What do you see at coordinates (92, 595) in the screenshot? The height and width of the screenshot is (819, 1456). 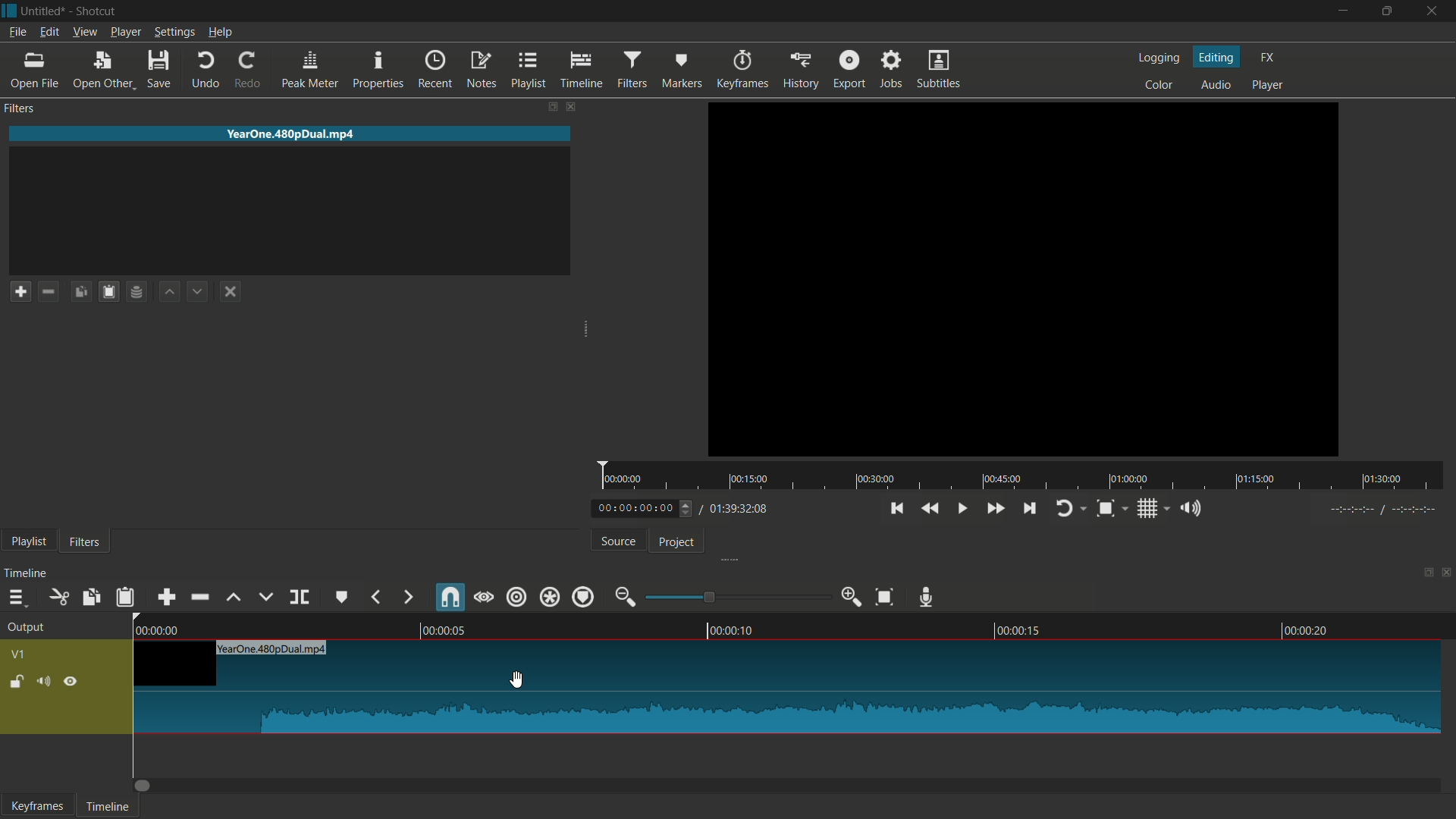 I see `copy` at bounding box center [92, 595].